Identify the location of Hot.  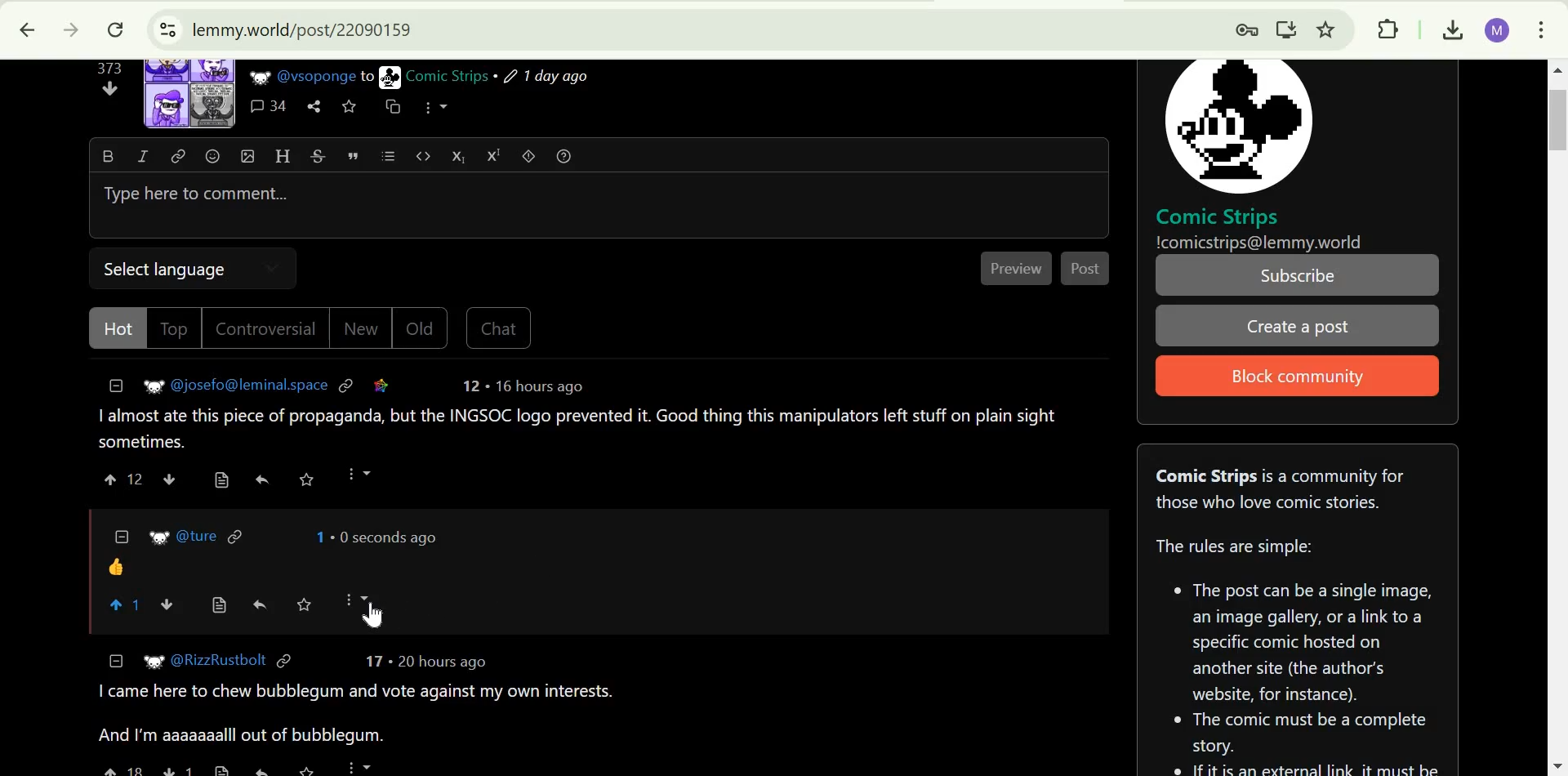
(121, 328).